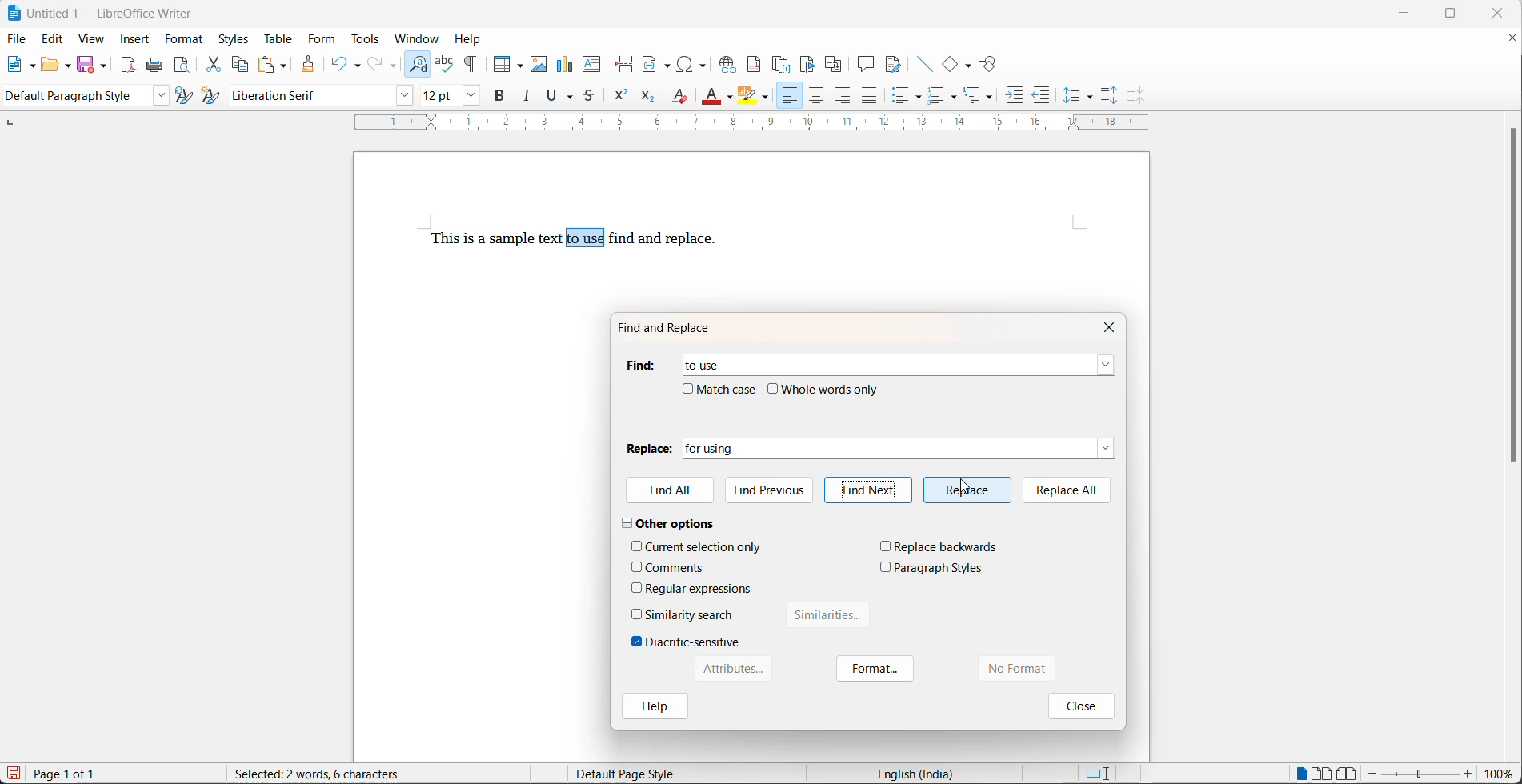 The image size is (1522, 784). What do you see at coordinates (920, 773) in the screenshot?
I see `English (India)` at bounding box center [920, 773].